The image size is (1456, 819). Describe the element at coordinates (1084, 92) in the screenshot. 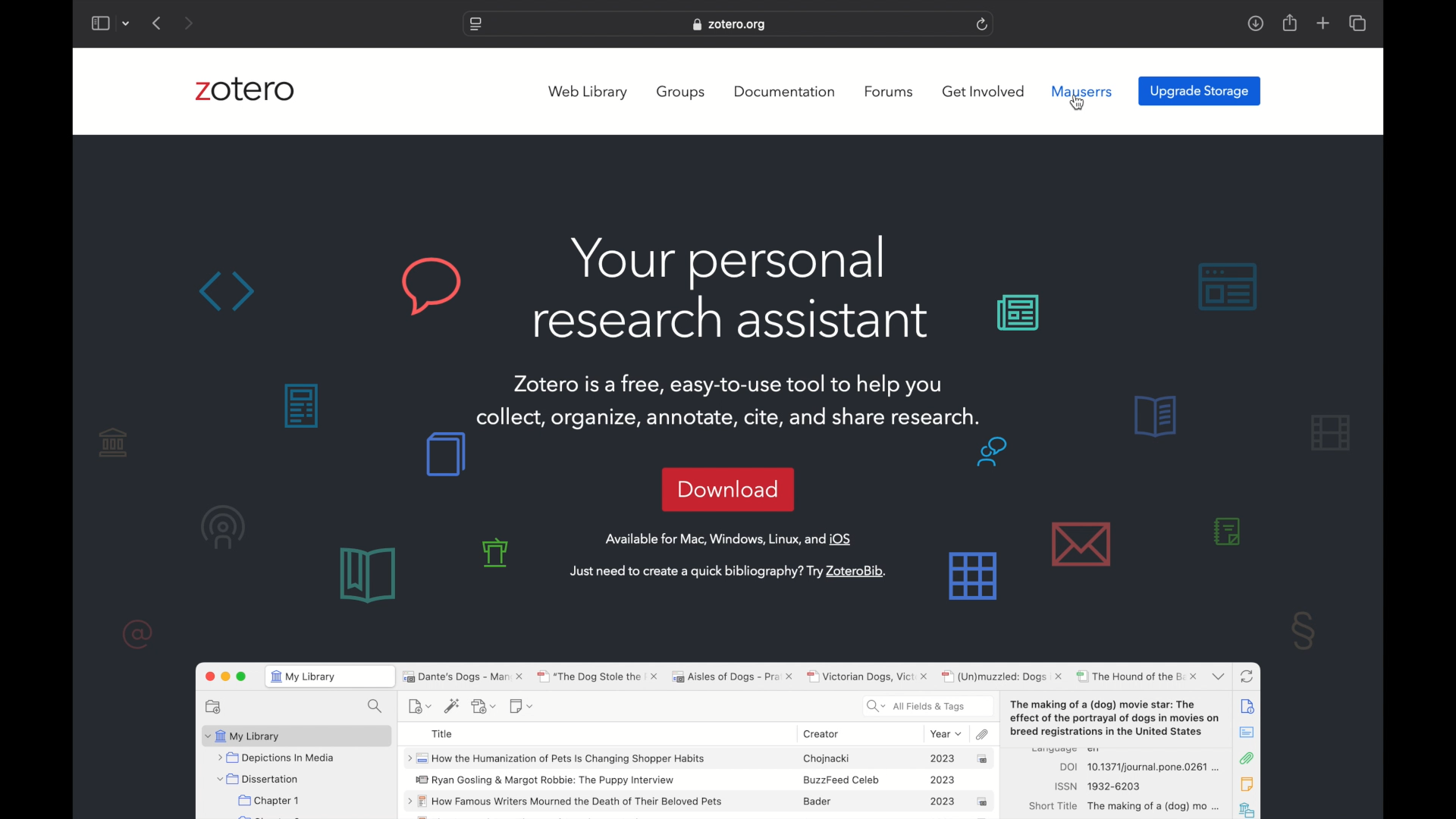

I see `mauserrs` at that location.